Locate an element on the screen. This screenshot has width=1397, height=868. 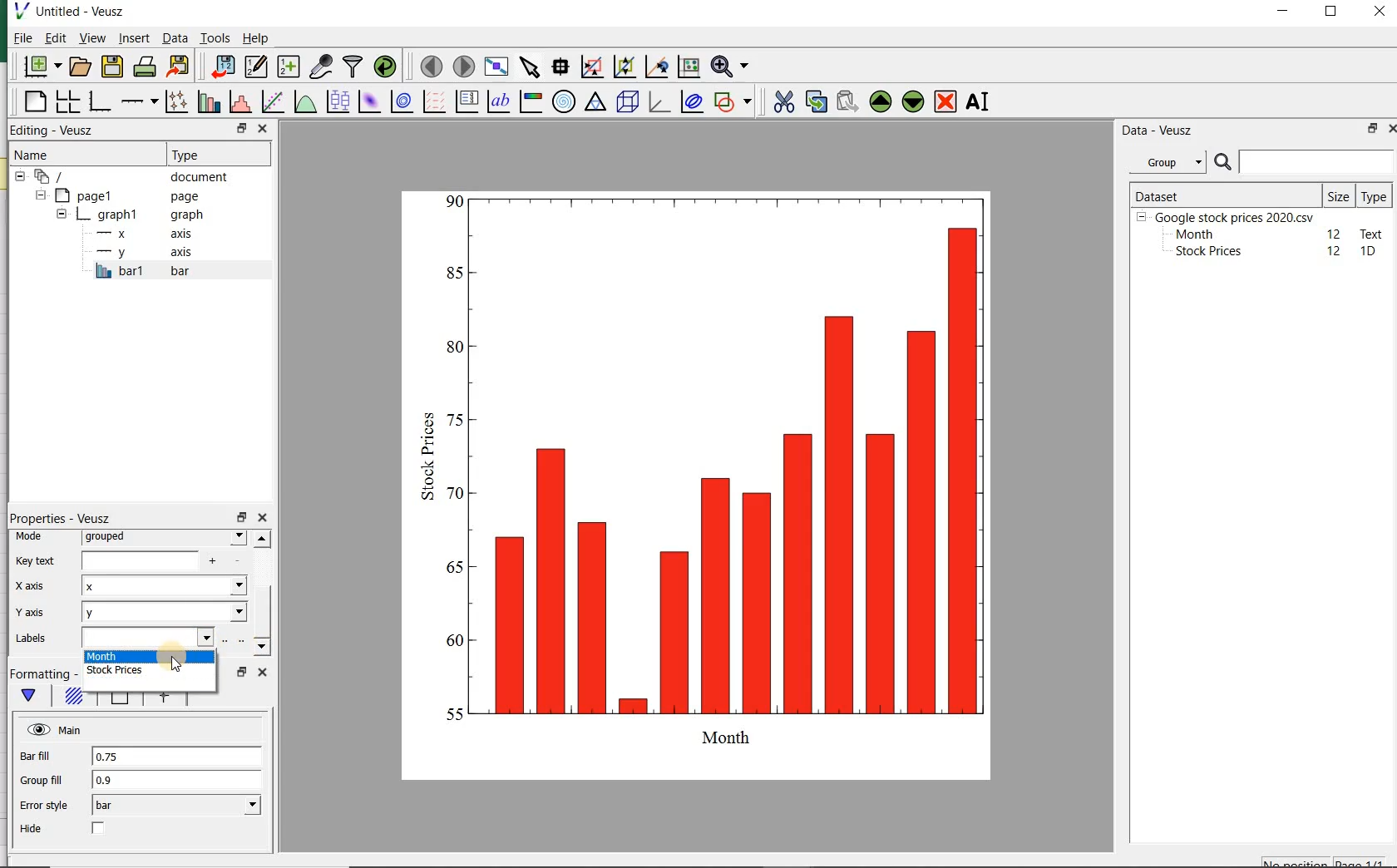
error bar line is located at coordinates (165, 701).